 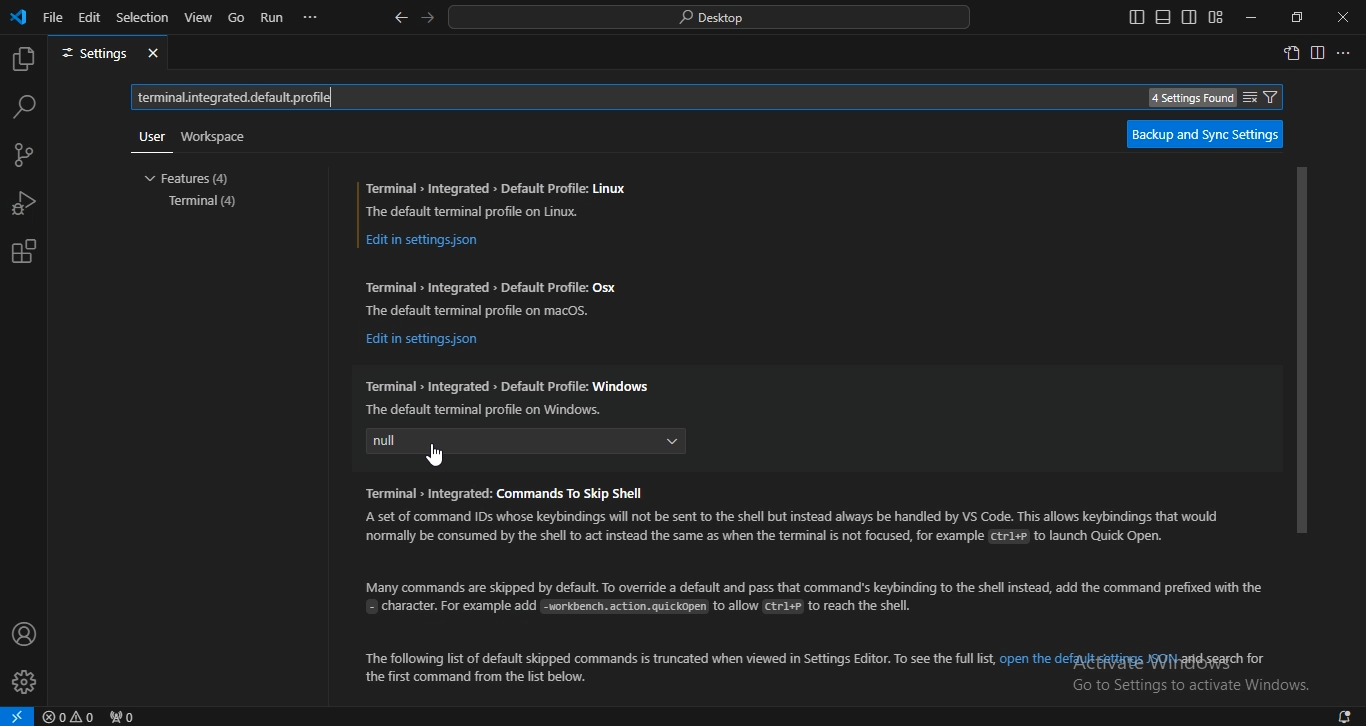 What do you see at coordinates (1294, 18) in the screenshot?
I see `restore windows` at bounding box center [1294, 18].